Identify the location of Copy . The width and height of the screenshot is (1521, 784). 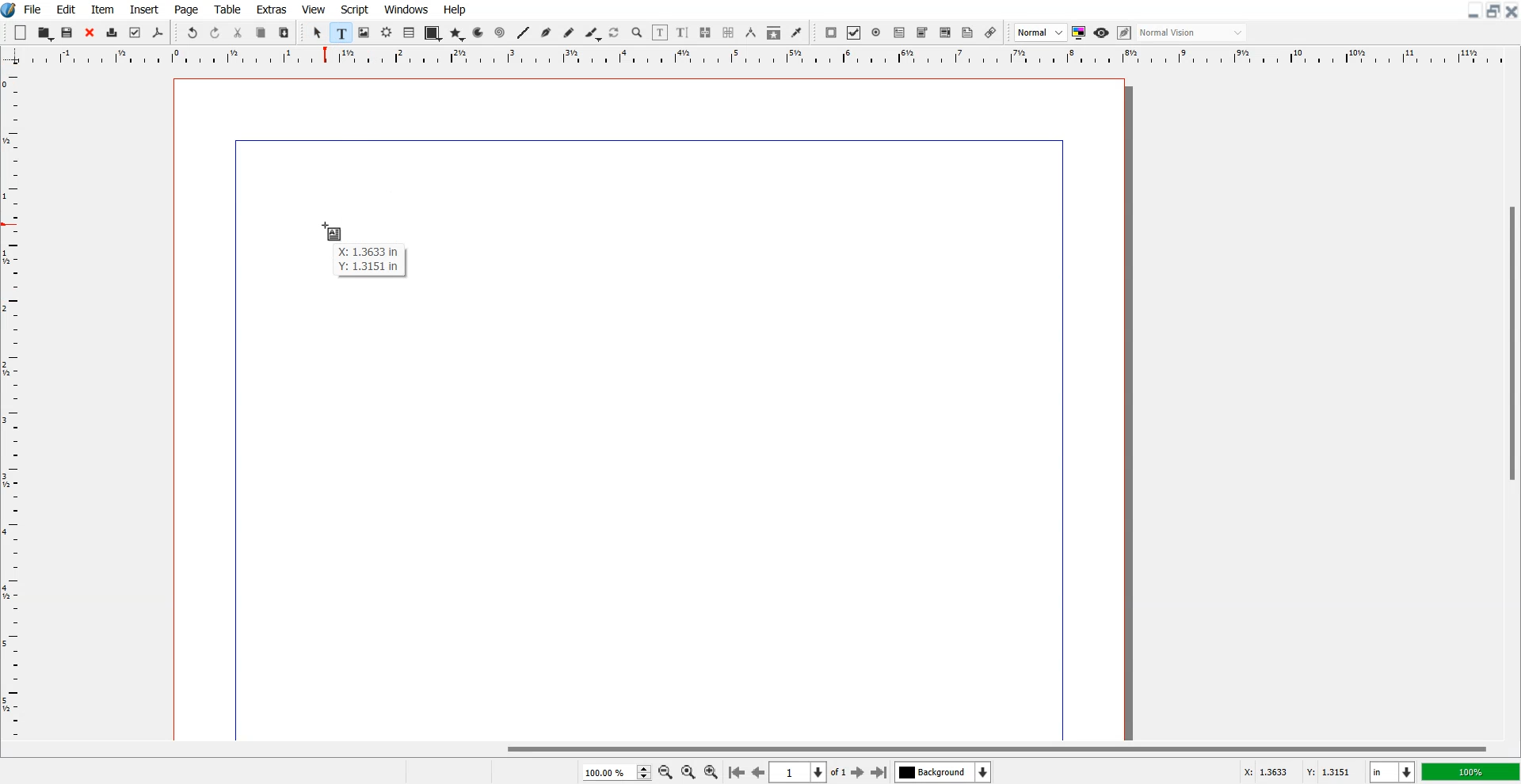
(261, 33).